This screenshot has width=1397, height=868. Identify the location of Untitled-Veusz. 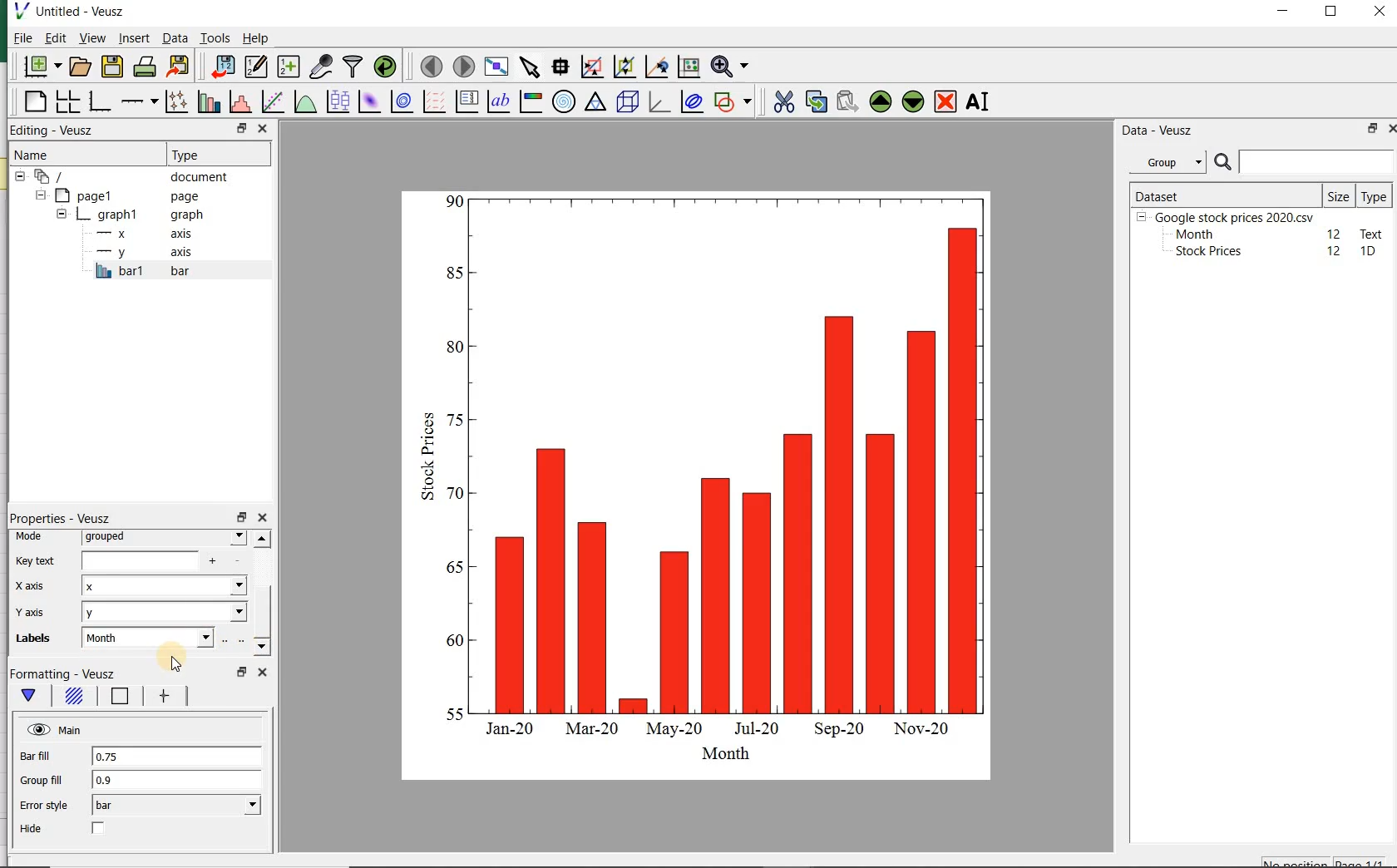
(77, 12).